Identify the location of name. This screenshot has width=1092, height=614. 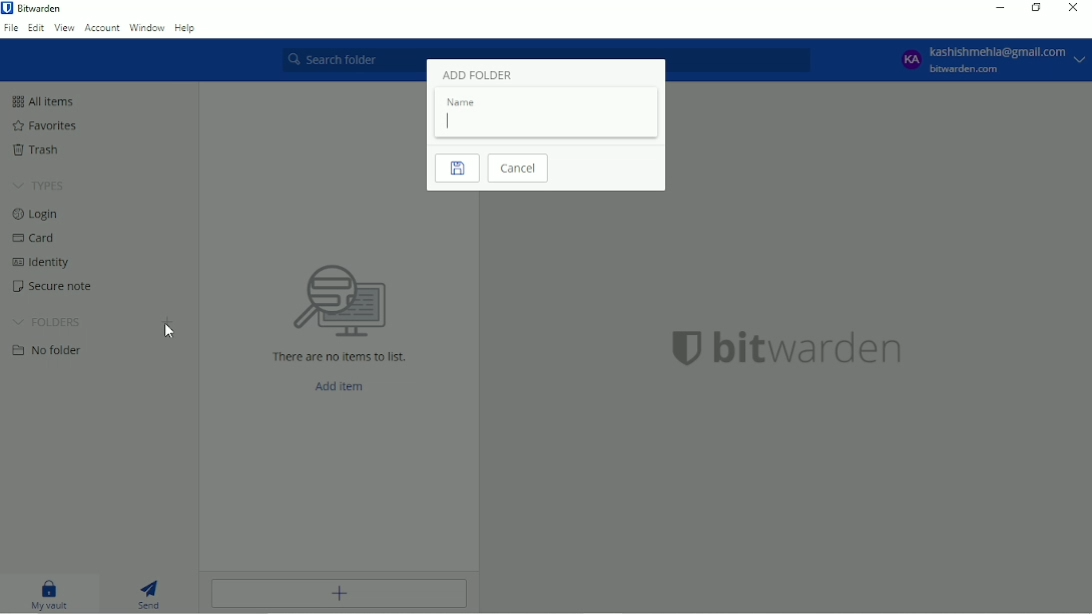
(461, 102).